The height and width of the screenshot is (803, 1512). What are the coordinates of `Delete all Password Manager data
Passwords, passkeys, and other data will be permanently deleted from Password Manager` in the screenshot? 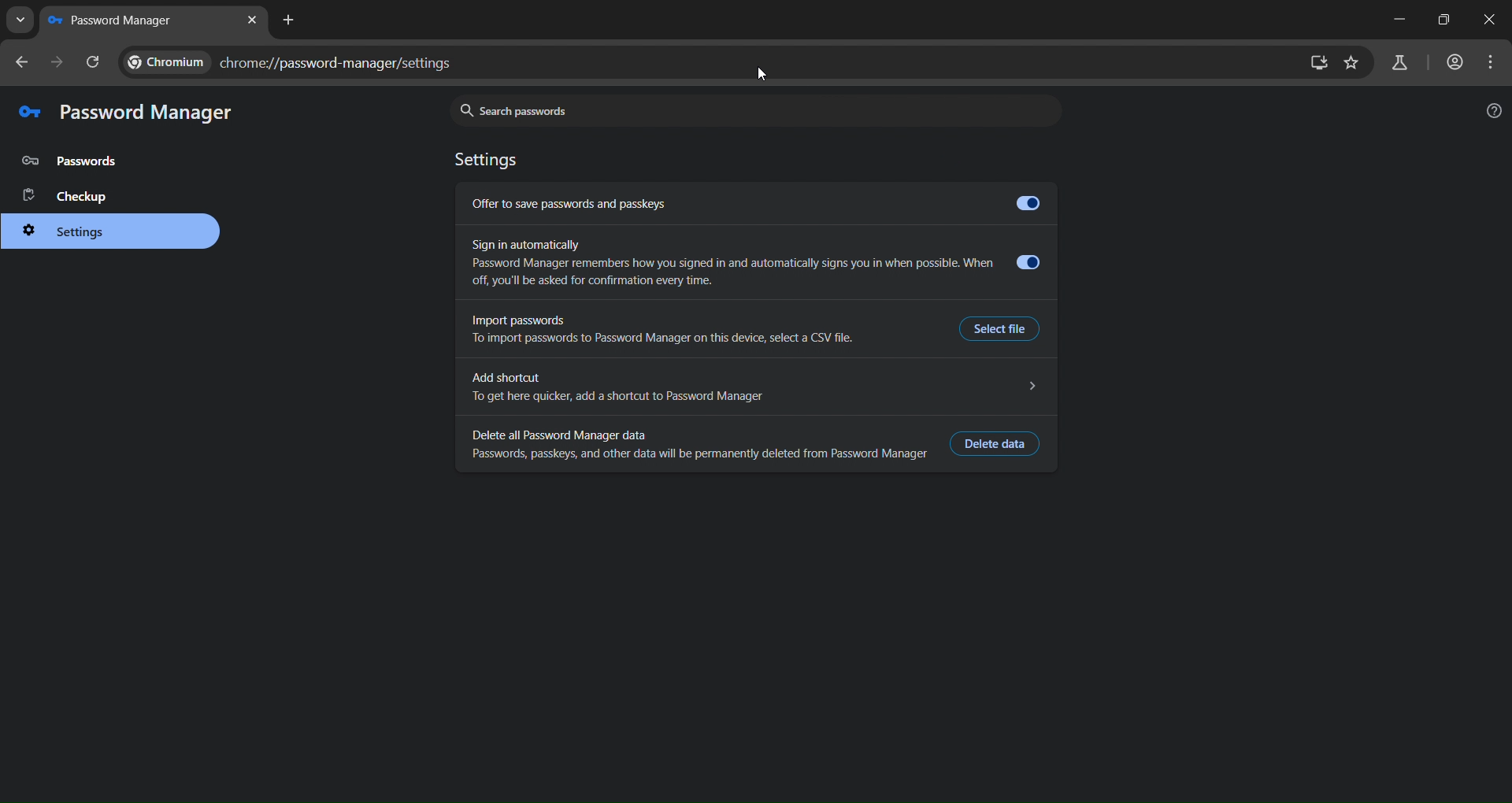 It's located at (699, 441).